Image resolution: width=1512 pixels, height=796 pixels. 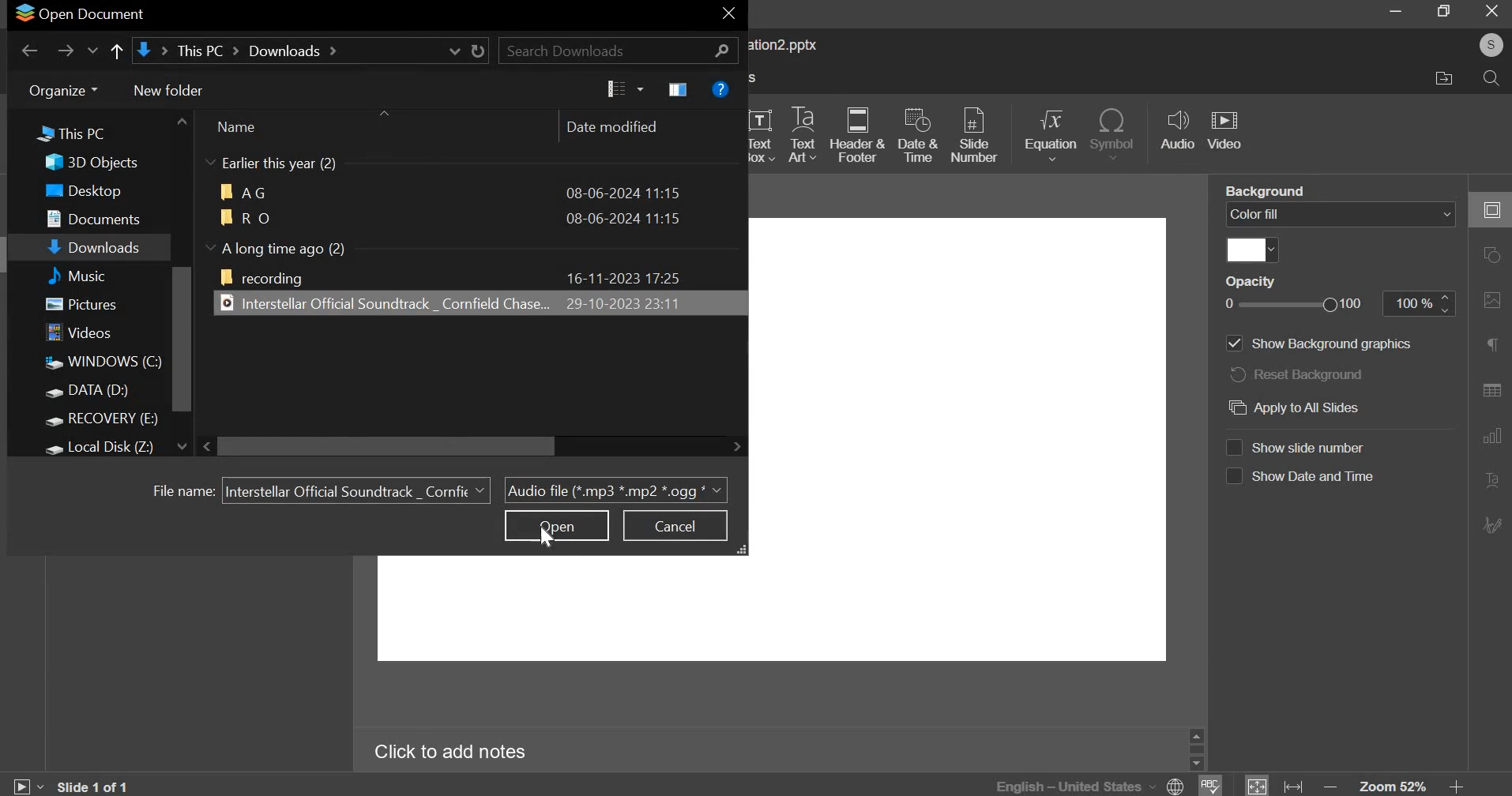 I want to click on text art settings, so click(x=1490, y=479).